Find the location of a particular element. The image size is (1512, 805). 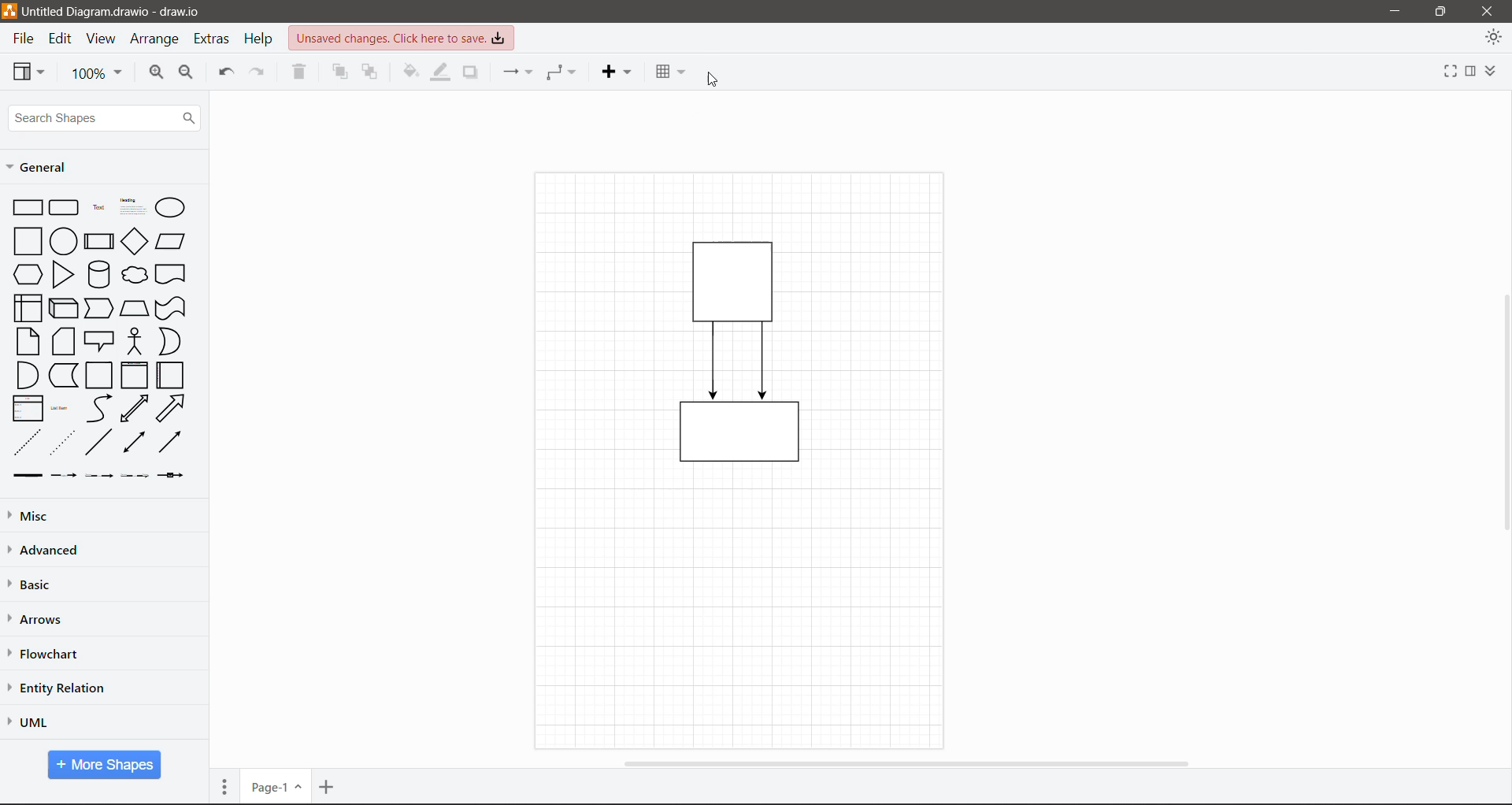

connector with 3 labels is located at coordinates (135, 476).